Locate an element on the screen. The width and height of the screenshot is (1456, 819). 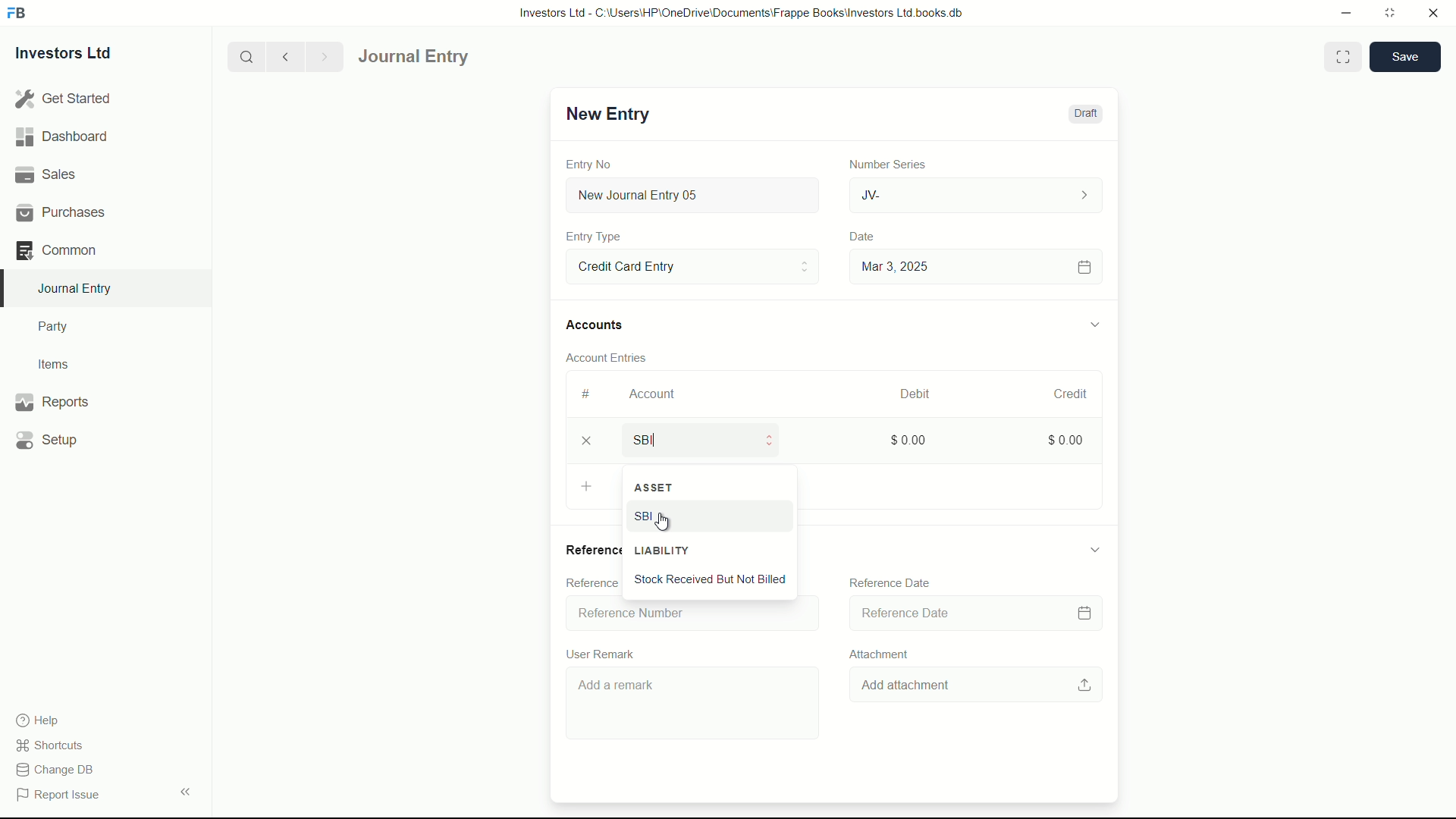
search is located at coordinates (245, 55).